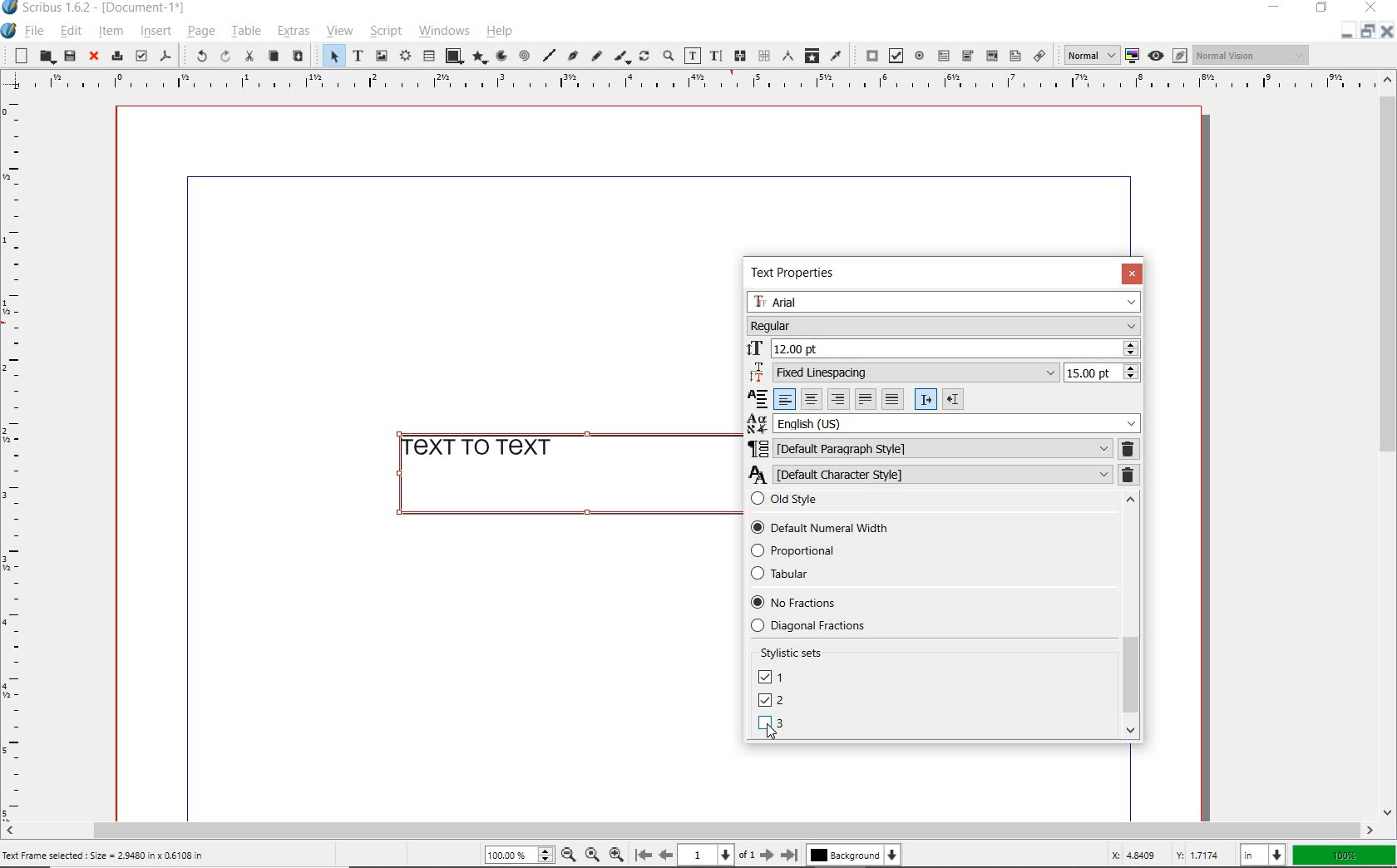 This screenshot has width=1397, height=868. I want to click on render frame, so click(405, 57).